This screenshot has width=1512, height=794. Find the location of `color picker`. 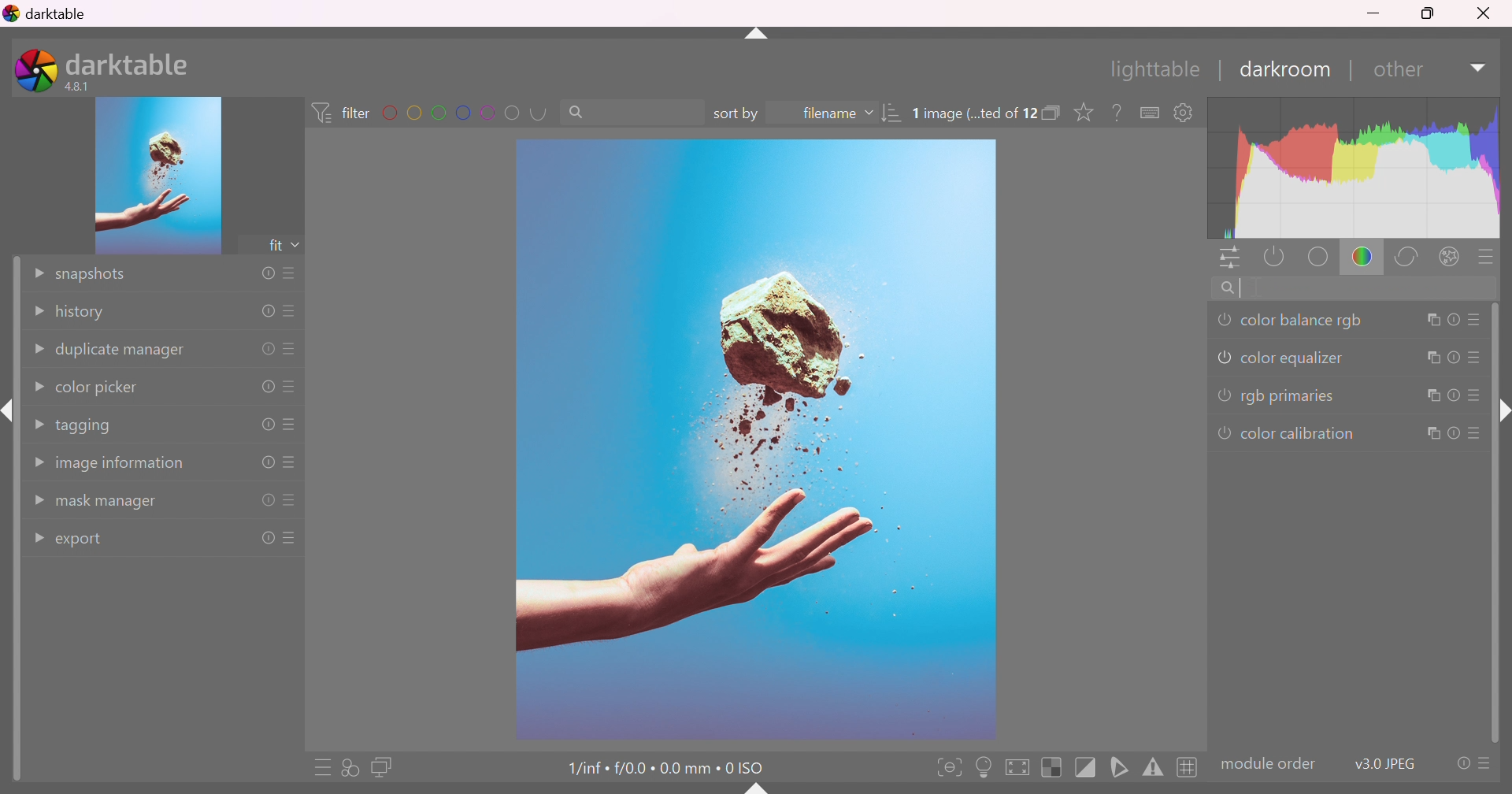

color picker is located at coordinates (101, 389).